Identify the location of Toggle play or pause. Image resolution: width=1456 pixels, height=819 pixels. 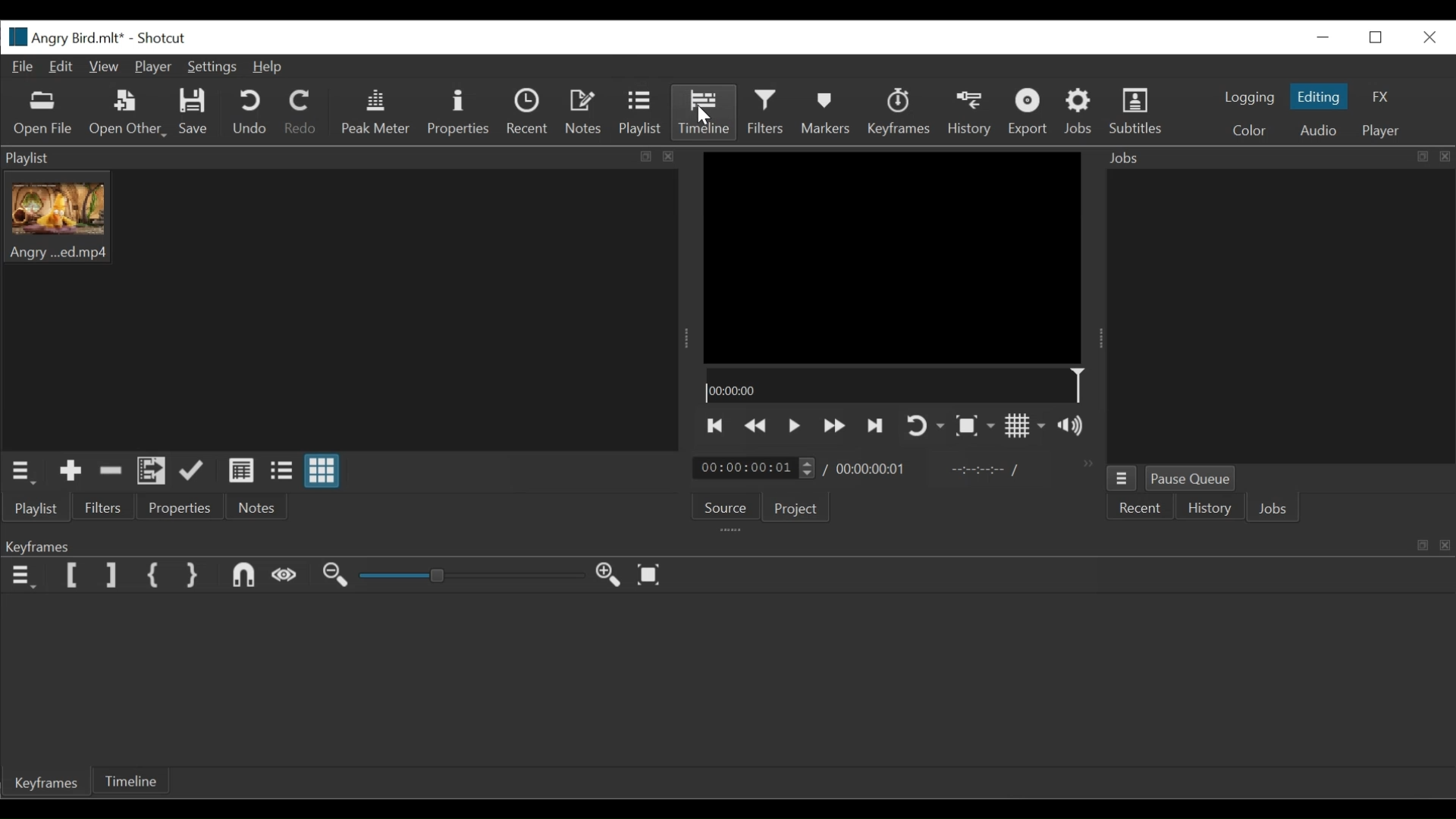
(795, 428).